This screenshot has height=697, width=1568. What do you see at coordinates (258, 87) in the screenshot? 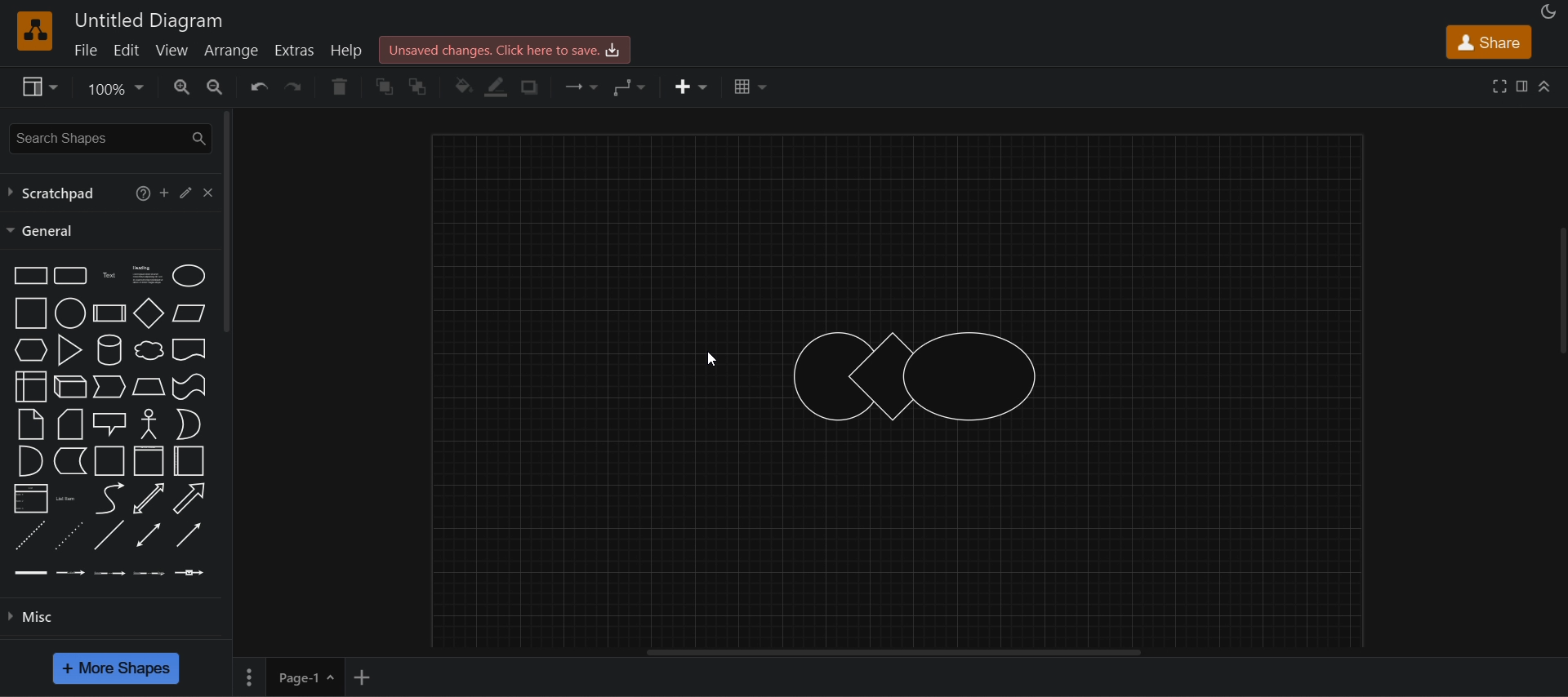
I see `undo` at bounding box center [258, 87].